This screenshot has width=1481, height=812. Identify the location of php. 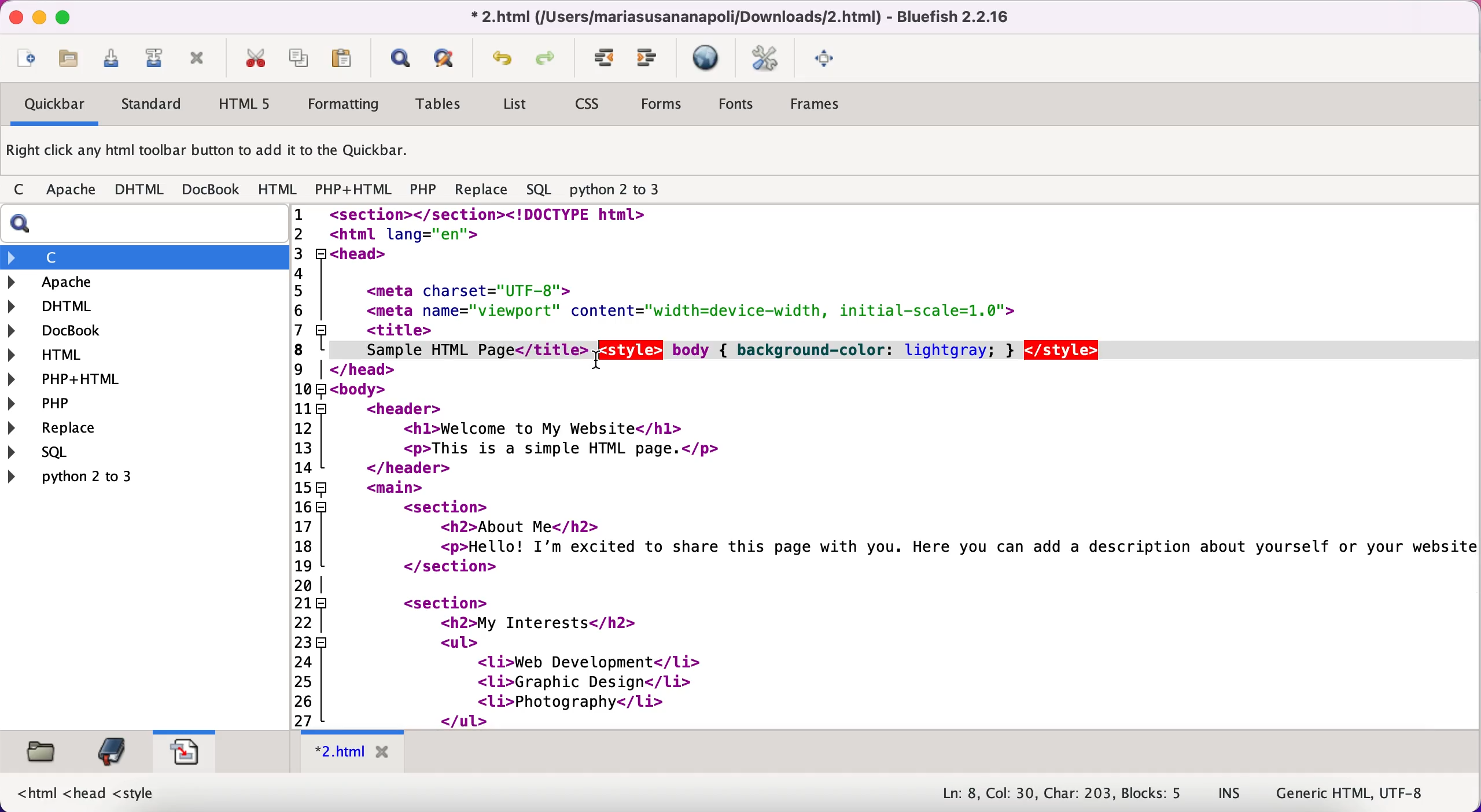
(72, 403).